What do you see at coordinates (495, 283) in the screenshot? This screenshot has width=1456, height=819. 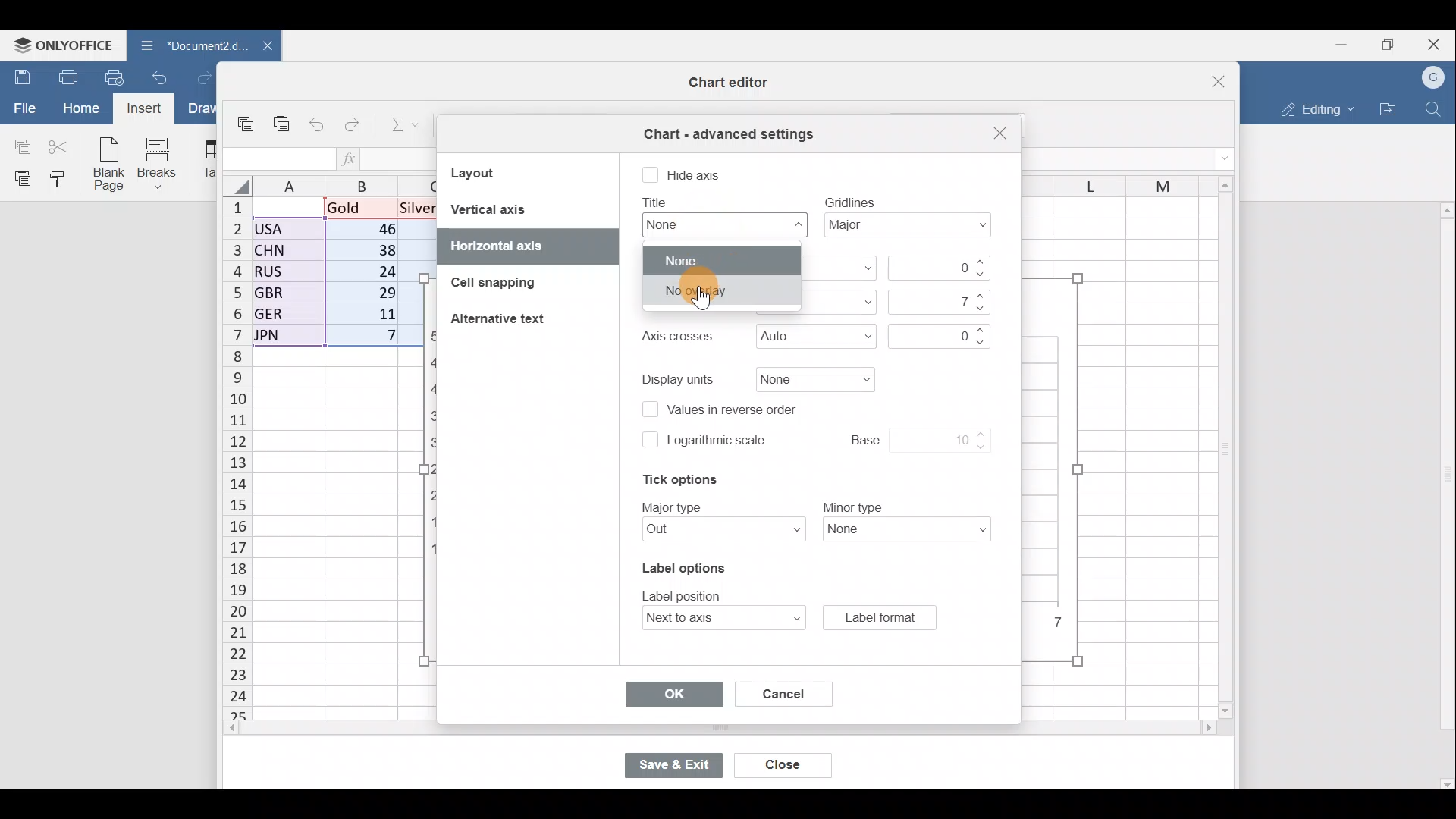 I see `Cell snapping` at bounding box center [495, 283].